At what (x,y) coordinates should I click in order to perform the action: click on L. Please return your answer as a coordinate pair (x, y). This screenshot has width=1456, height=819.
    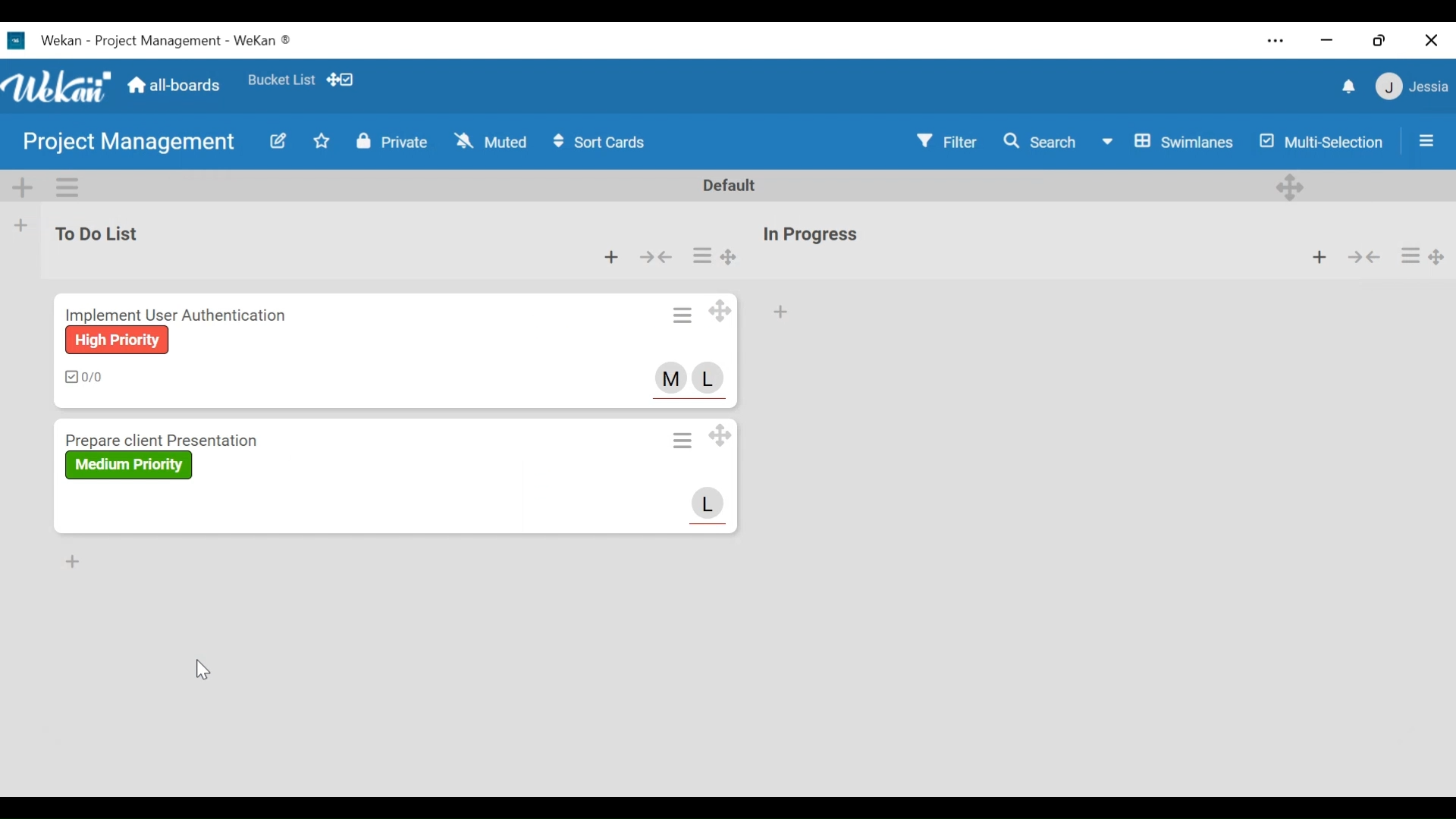
    Looking at the image, I should click on (709, 504).